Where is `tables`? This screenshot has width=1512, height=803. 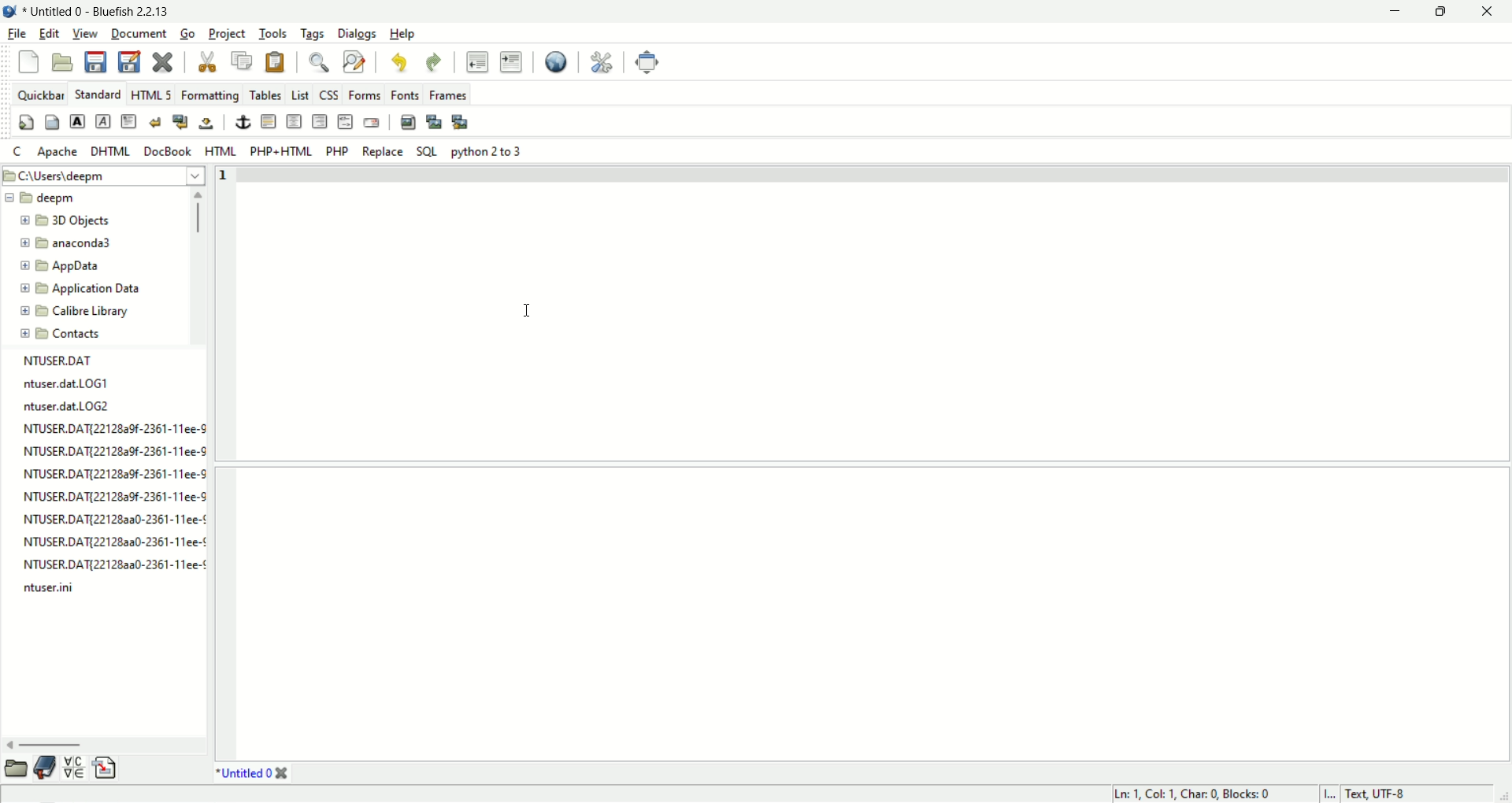
tables is located at coordinates (265, 95).